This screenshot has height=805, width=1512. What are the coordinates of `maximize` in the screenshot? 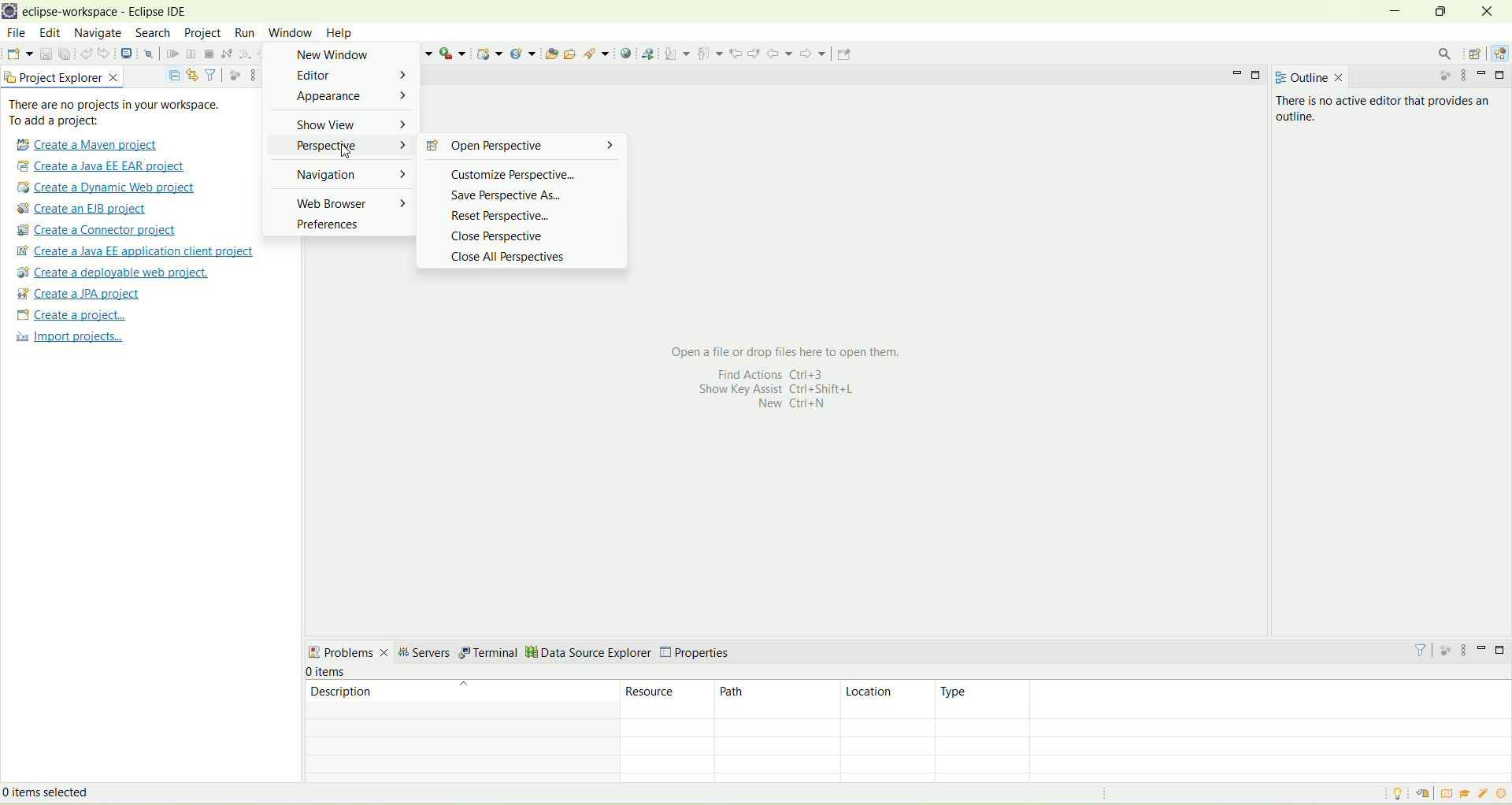 It's located at (1503, 76).